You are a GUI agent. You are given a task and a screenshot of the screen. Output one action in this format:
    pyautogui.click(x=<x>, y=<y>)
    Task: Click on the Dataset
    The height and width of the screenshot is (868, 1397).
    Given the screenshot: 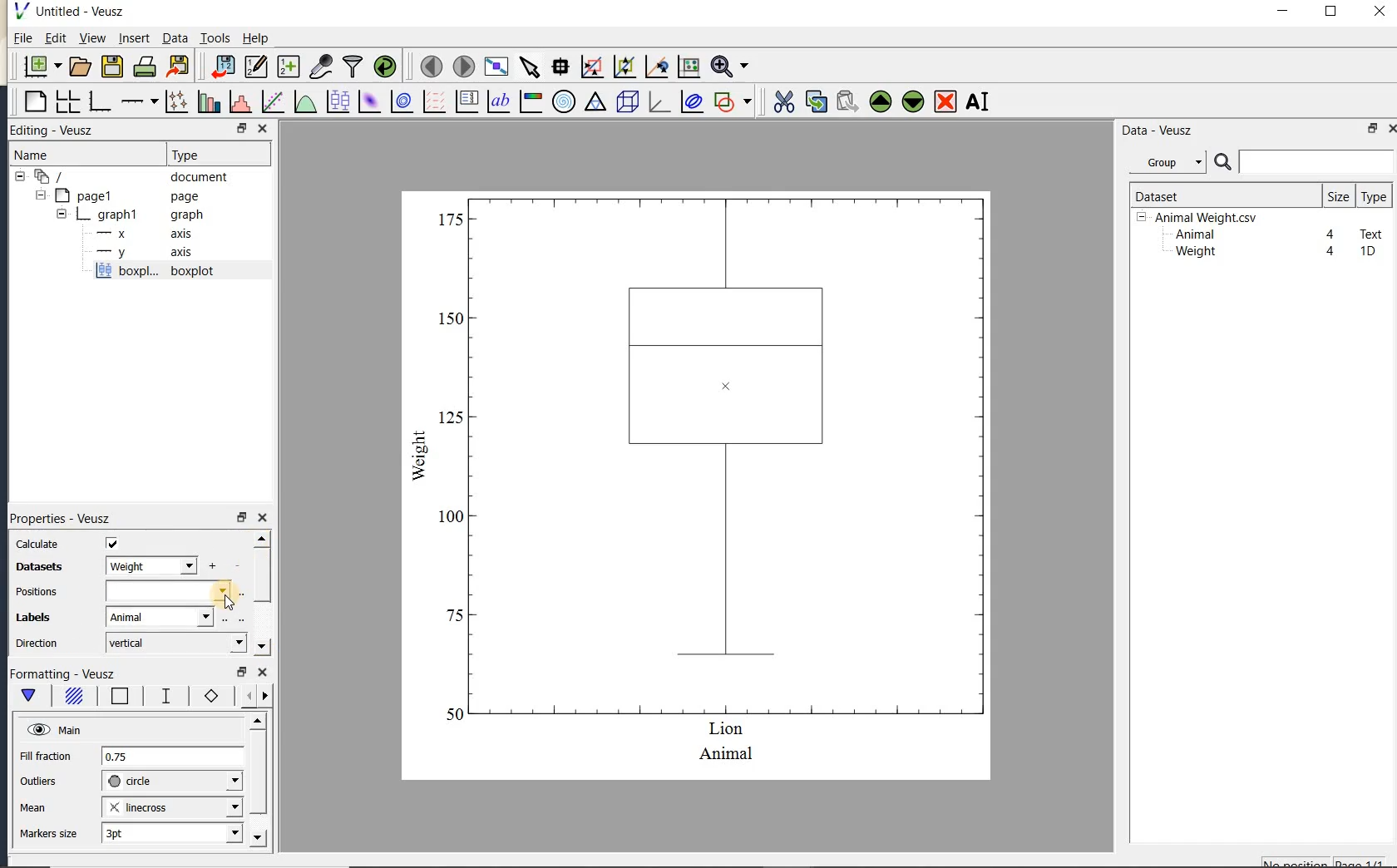 What is the action you would take?
    pyautogui.click(x=1218, y=195)
    